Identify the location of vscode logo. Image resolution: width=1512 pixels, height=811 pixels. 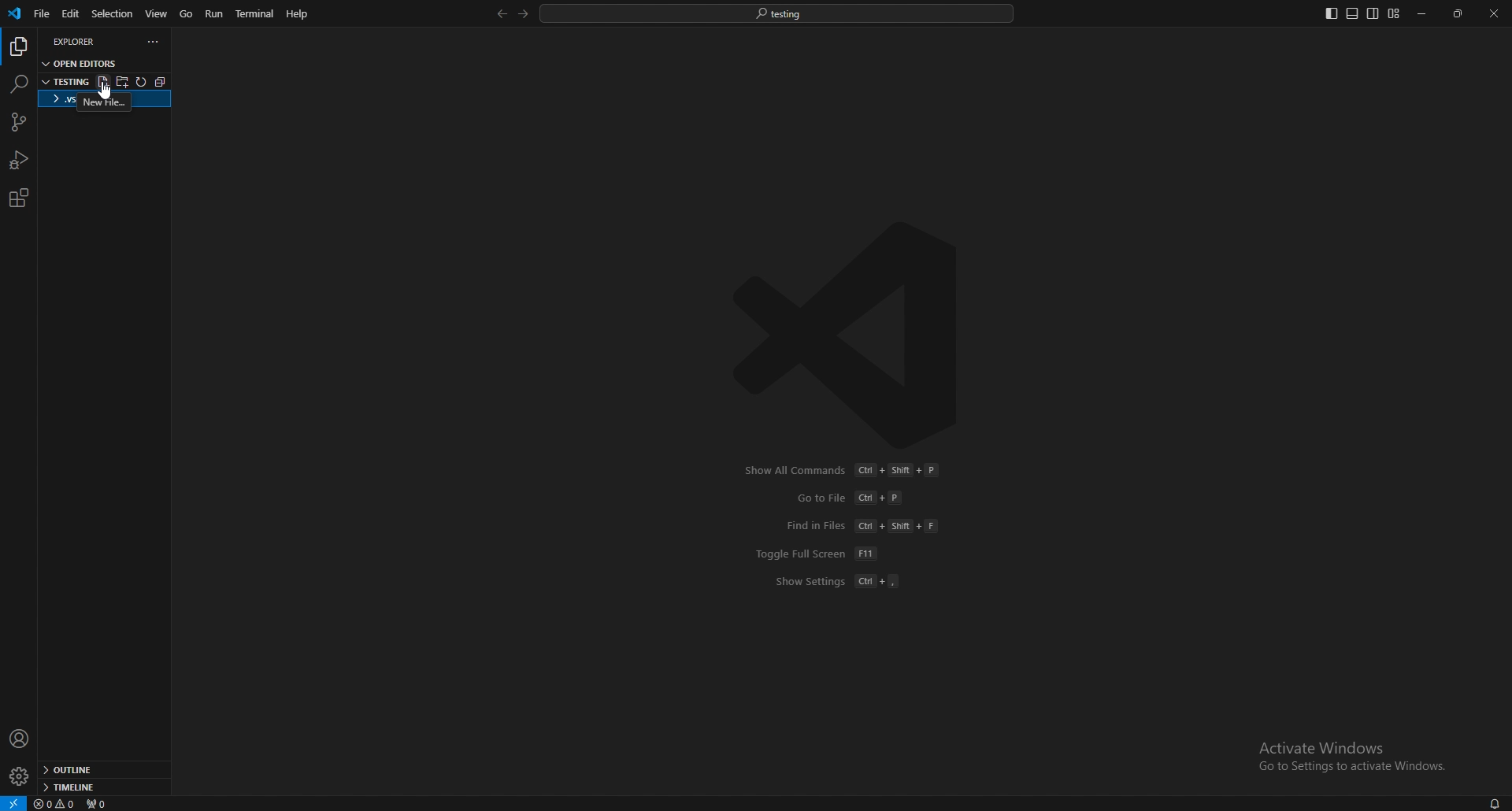
(855, 335).